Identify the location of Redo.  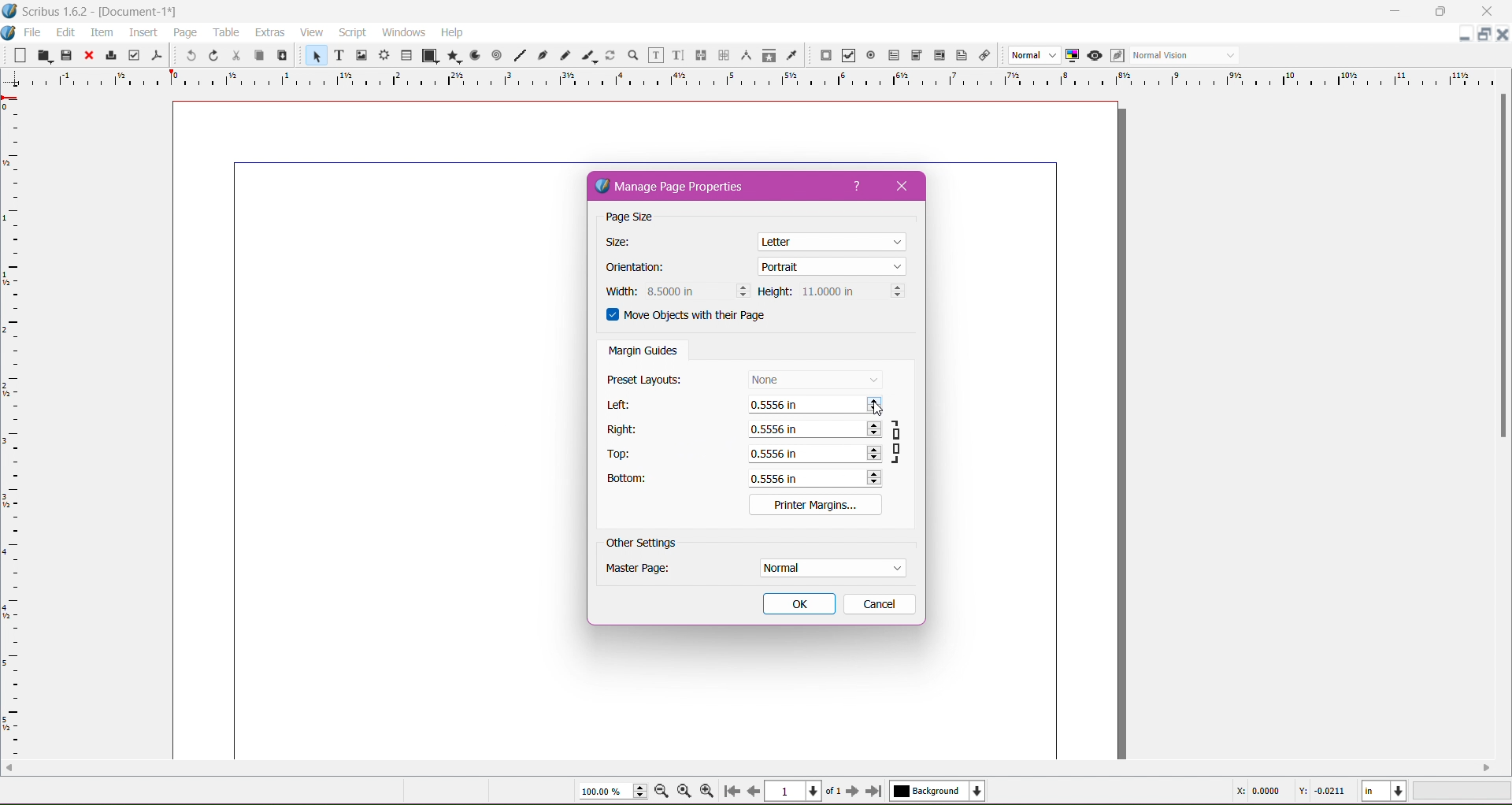
(213, 56).